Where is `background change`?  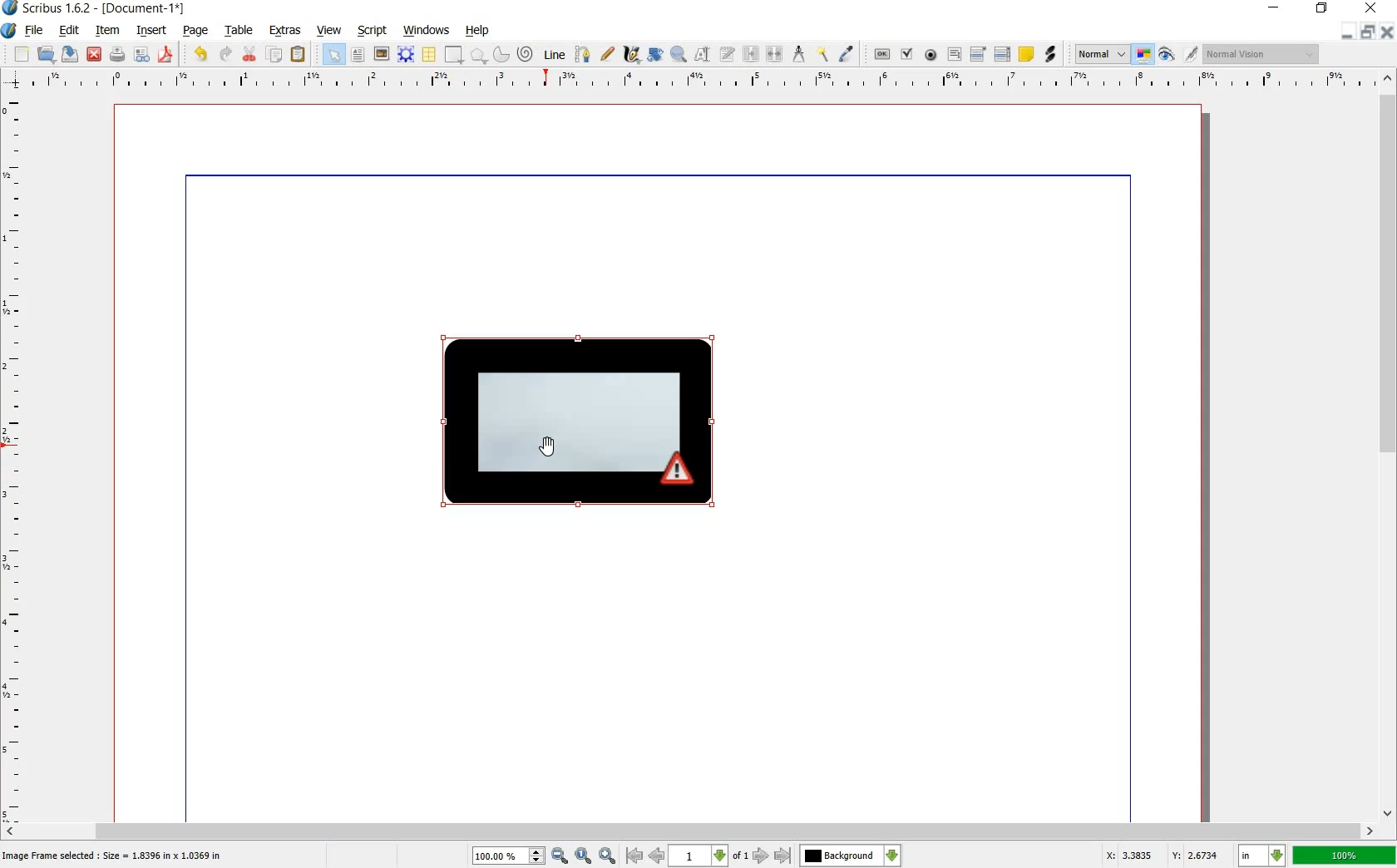
background change is located at coordinates (850, 856).